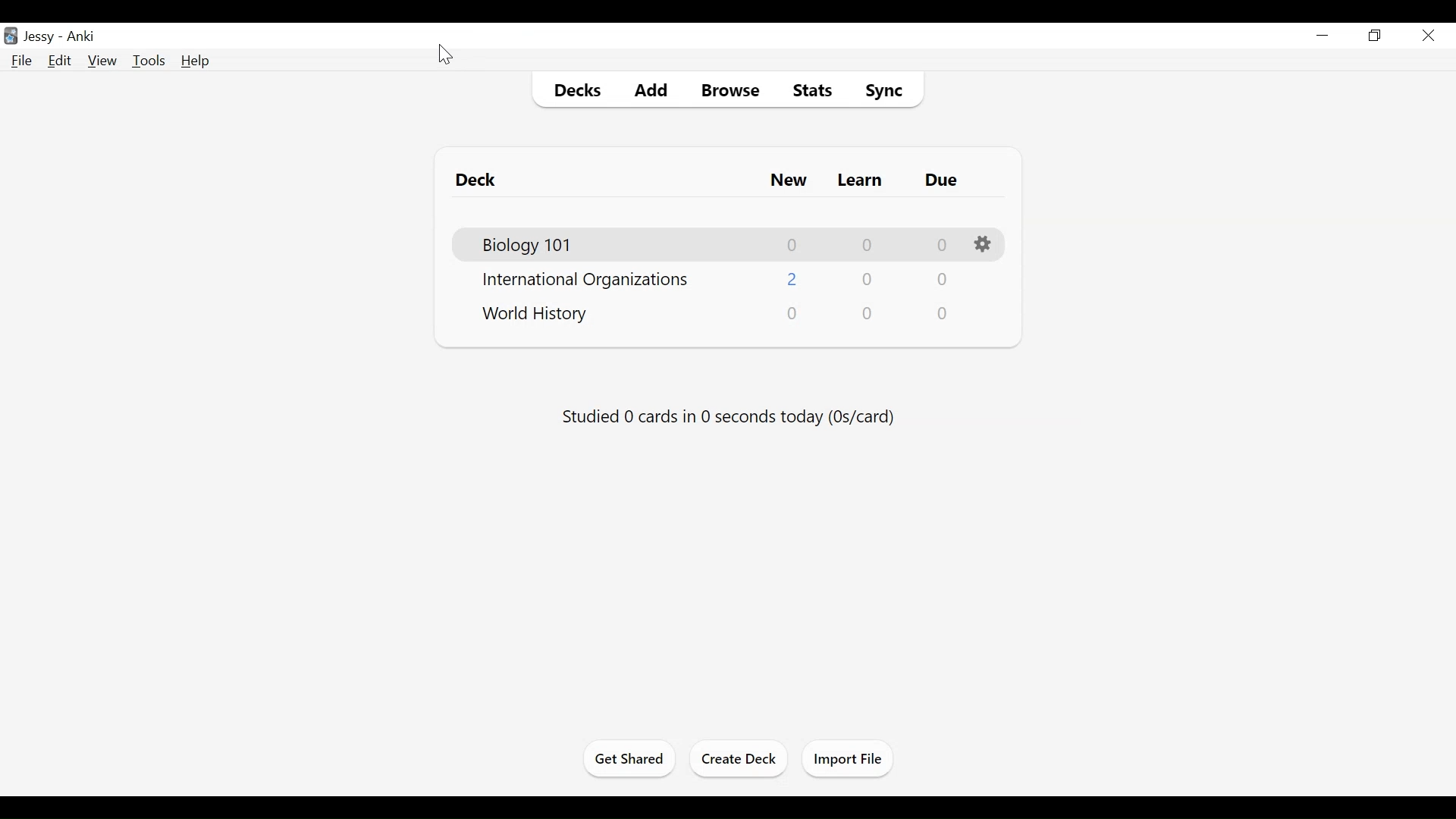 The image size is (1456, 819). What do you see at coordinates (943, 180) in the screenshot?
I see `Due Card` at bounding box center [943, 180].